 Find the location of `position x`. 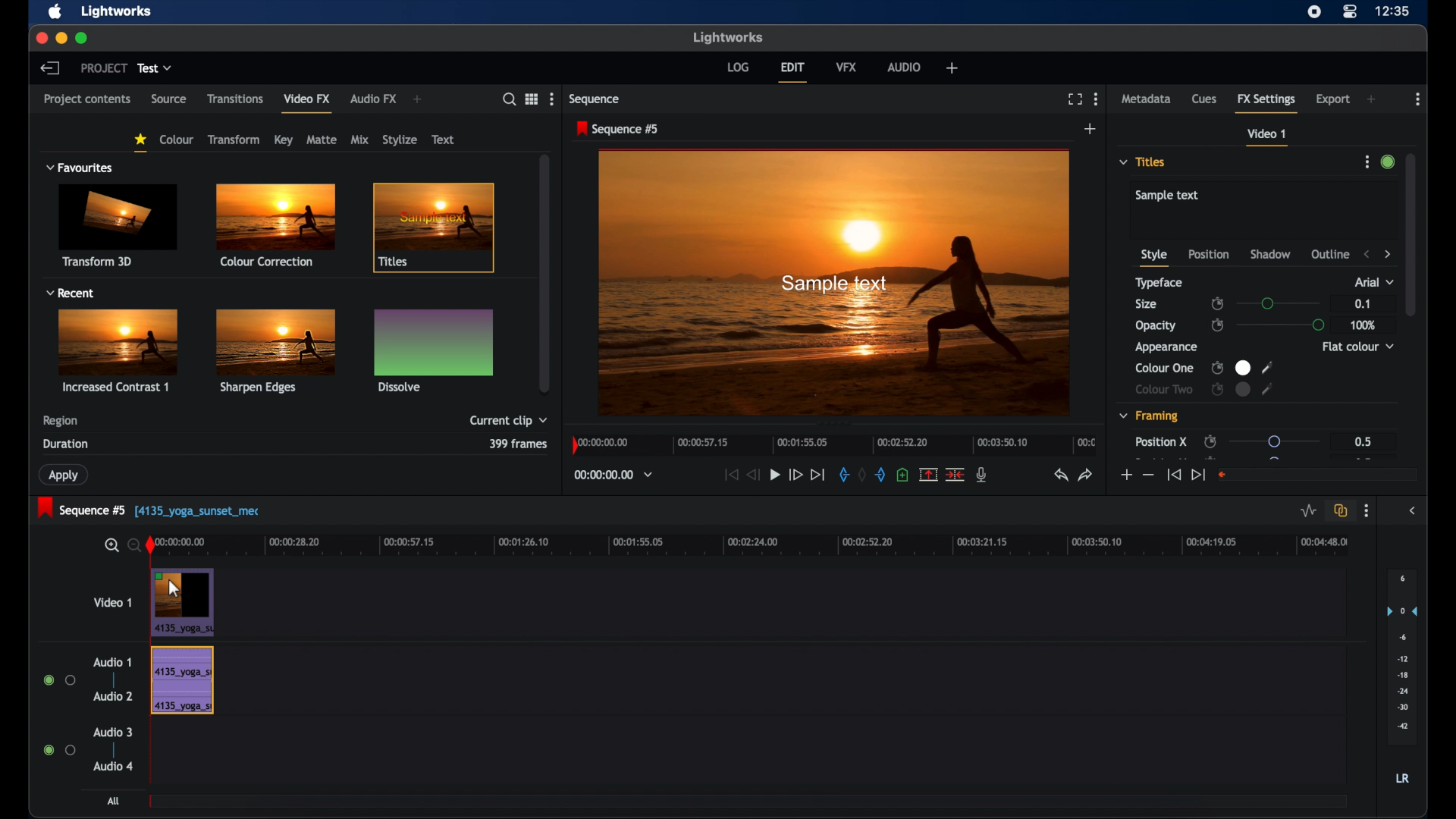

position x is located at coordinates (1159, 442).